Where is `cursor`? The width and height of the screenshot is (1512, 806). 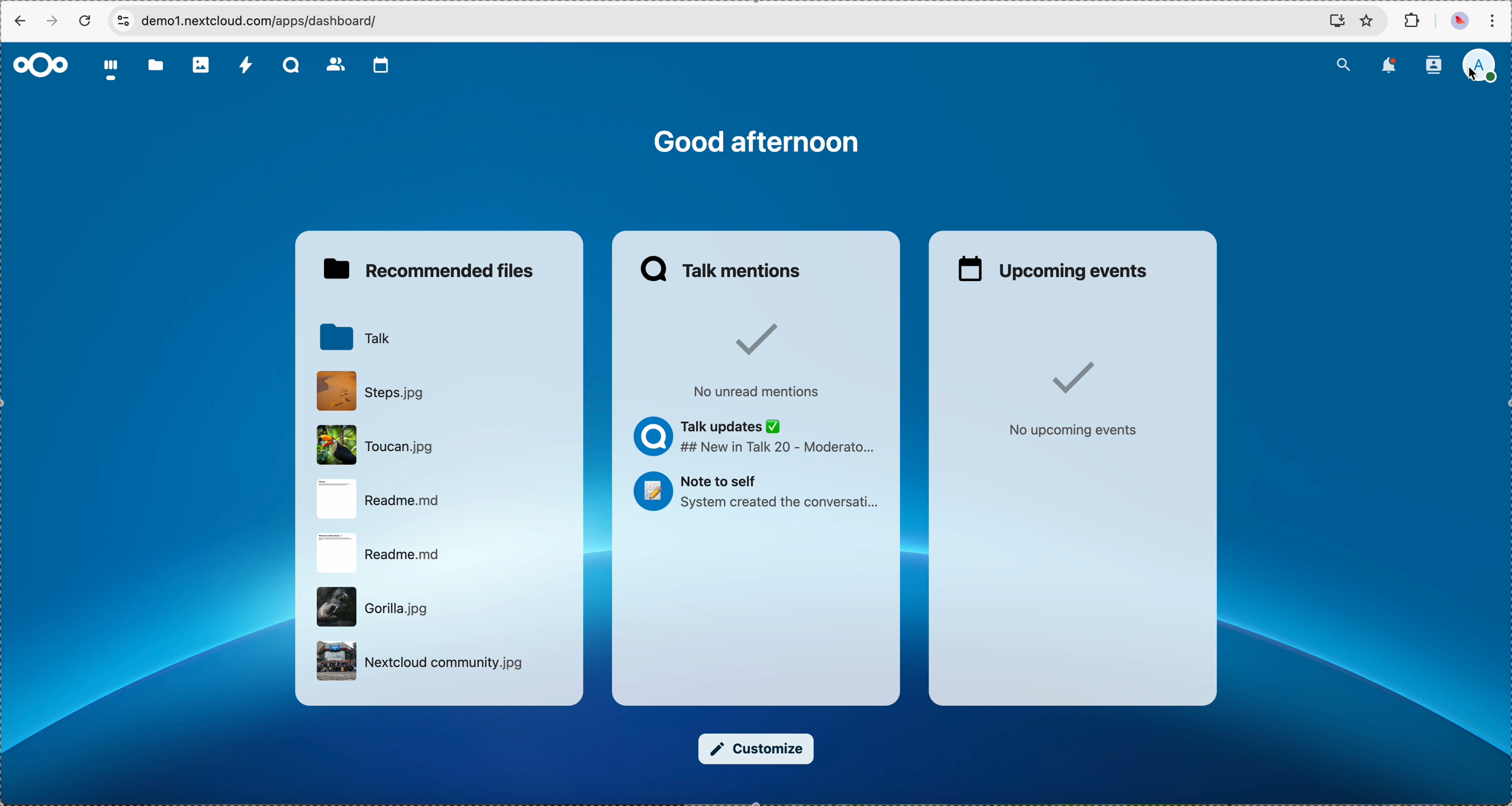
cursor is located at coordinates (1469, 78).